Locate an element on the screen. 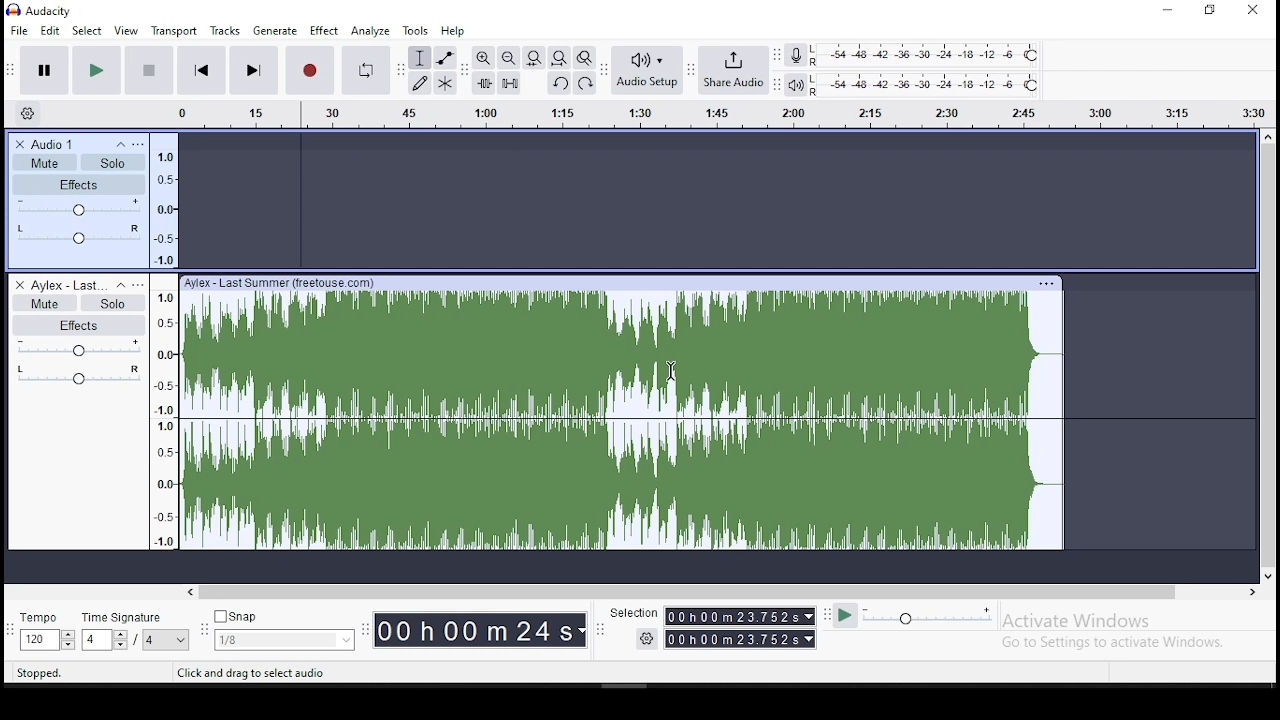 This screenshot has height=720, width=1280. volume is located at coordinates (80, 210).